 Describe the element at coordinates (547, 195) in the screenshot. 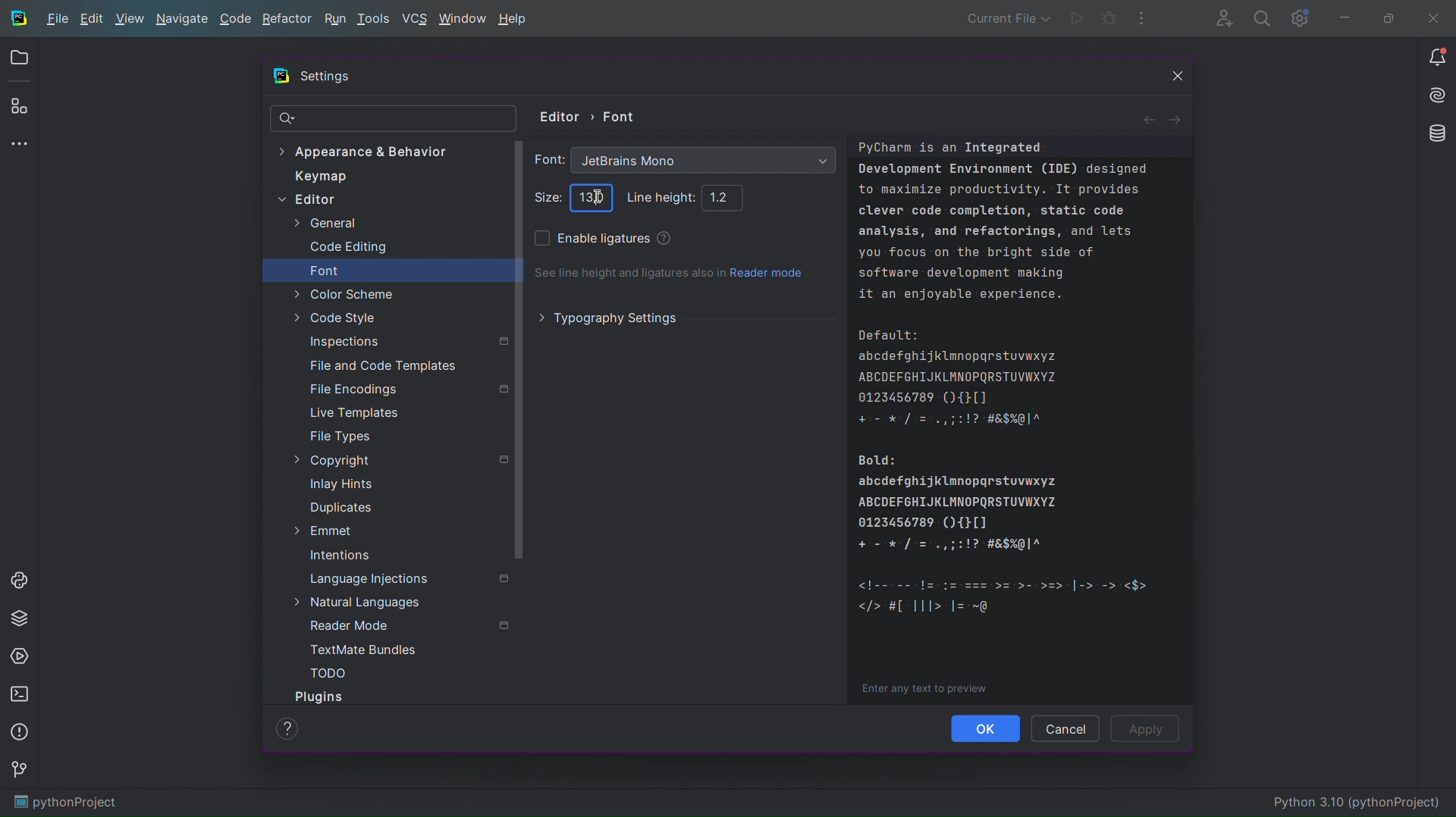

I see `Size` at that location.